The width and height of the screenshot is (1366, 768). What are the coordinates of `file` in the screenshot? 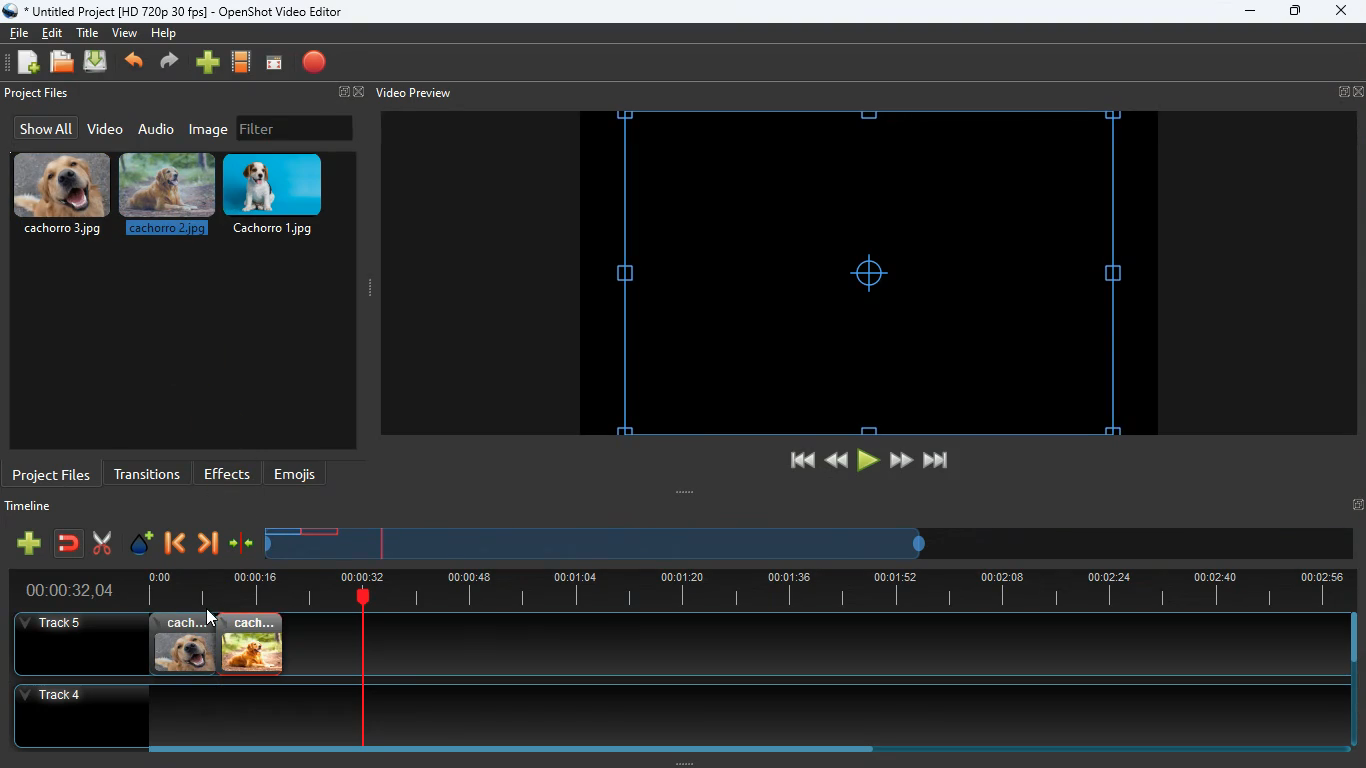 It's located at (19, 31).